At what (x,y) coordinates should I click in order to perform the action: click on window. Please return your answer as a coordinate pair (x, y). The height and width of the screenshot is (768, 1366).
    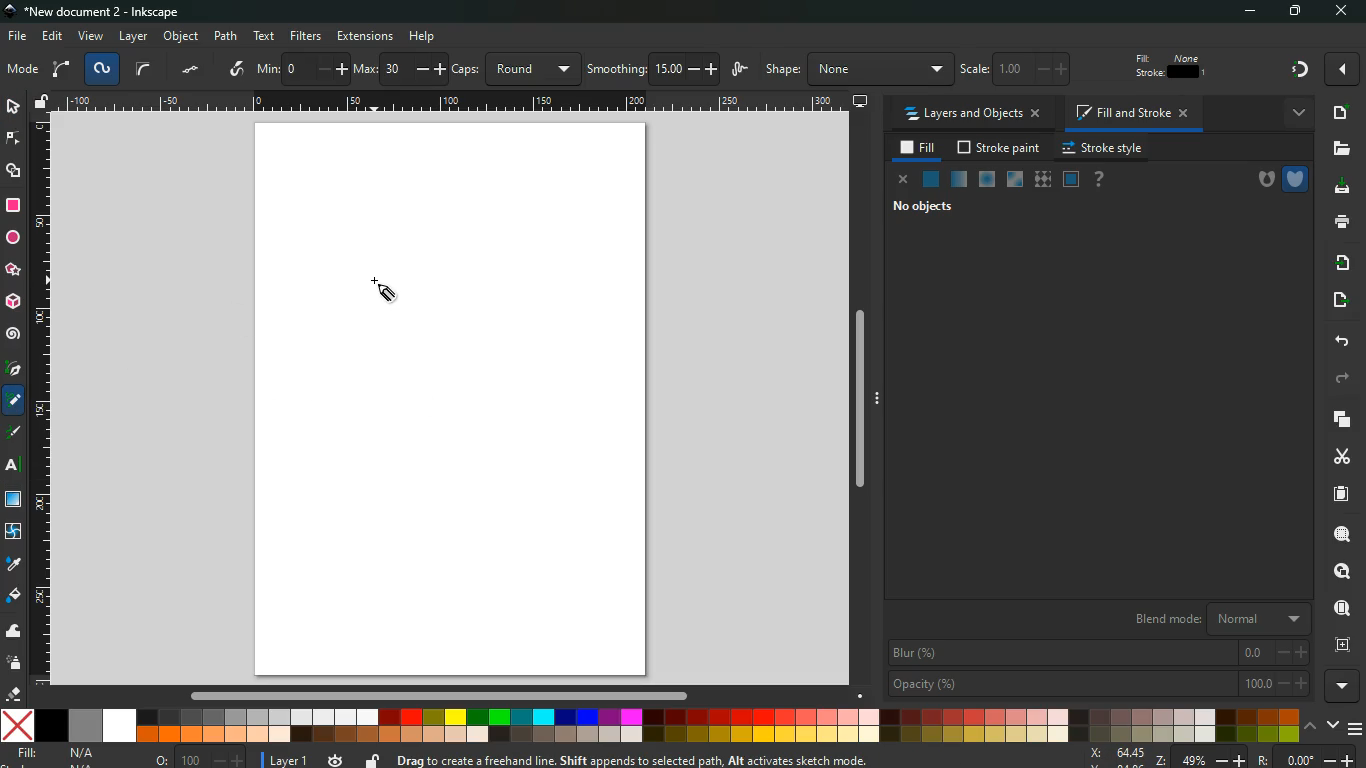
    Looking at the image, I should click on (14, 501).